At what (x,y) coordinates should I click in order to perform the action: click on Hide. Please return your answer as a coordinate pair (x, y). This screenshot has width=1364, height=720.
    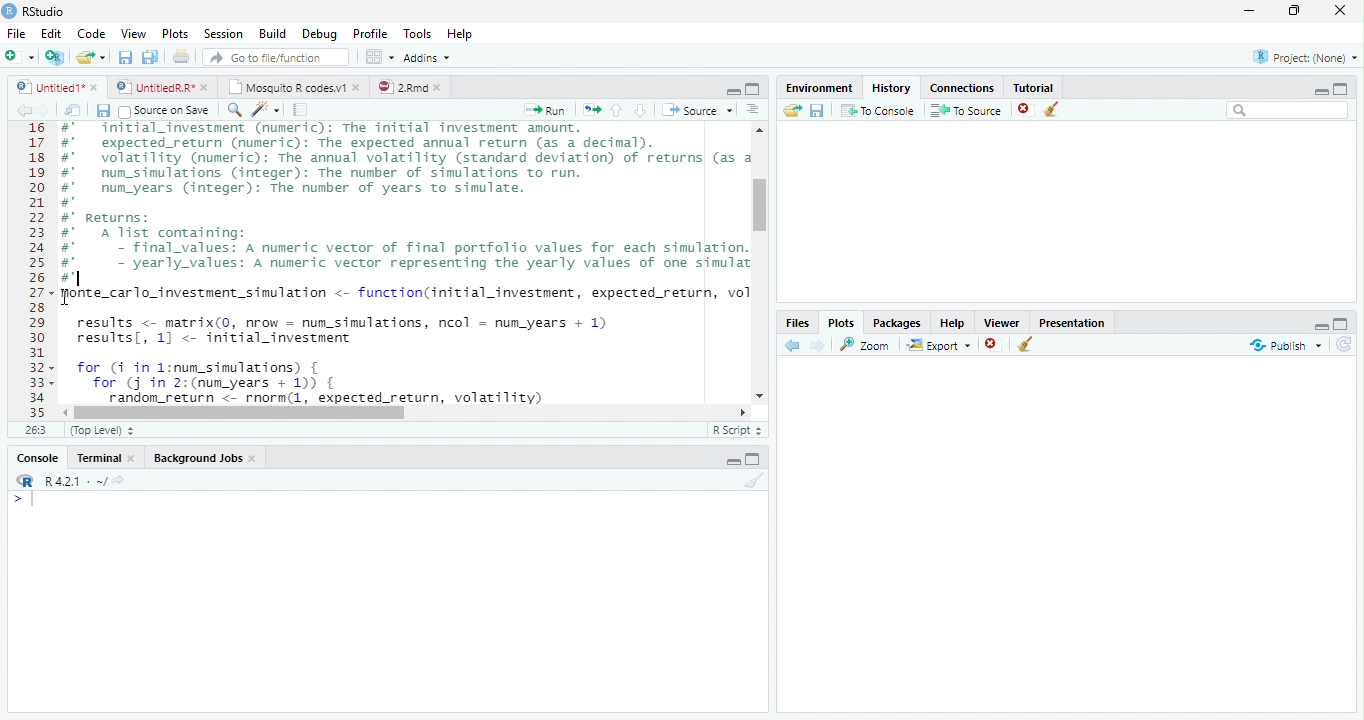
    Looking at the image, I should click on (732, 461).